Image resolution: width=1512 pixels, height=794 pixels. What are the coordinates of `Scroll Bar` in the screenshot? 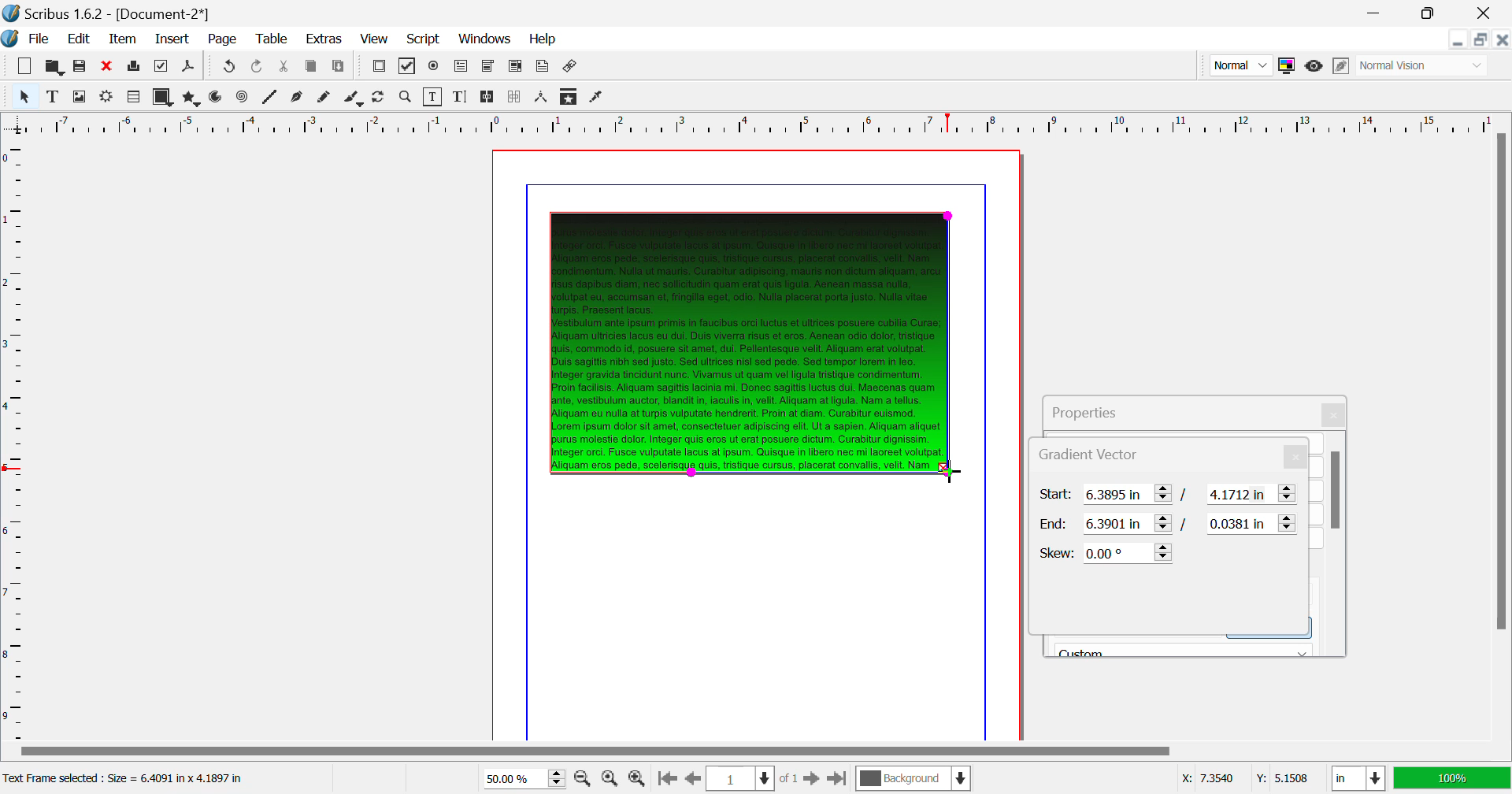 It's located at (755, 752).